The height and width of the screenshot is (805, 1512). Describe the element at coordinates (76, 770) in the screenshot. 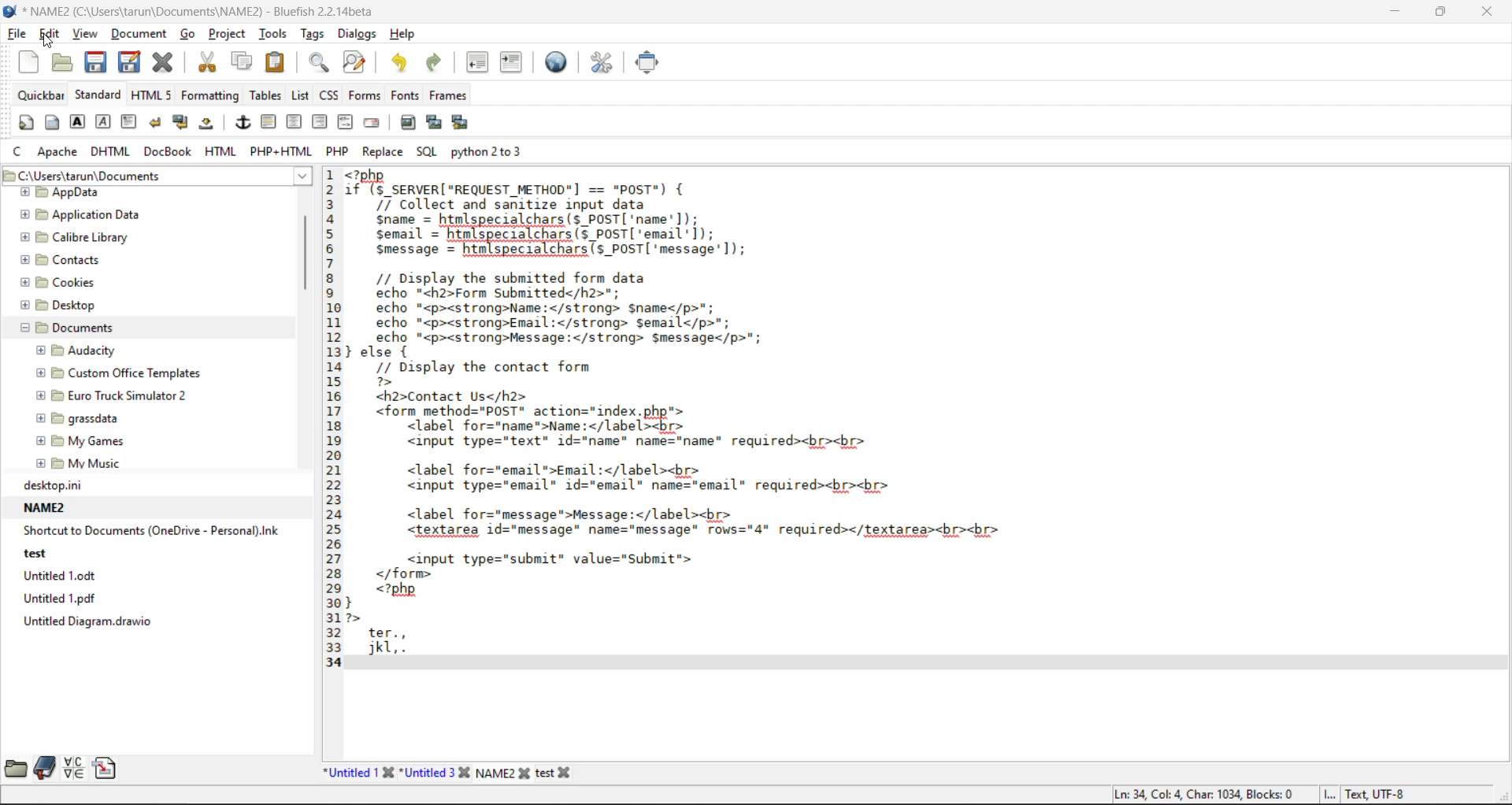

I see `charmap` at that location.